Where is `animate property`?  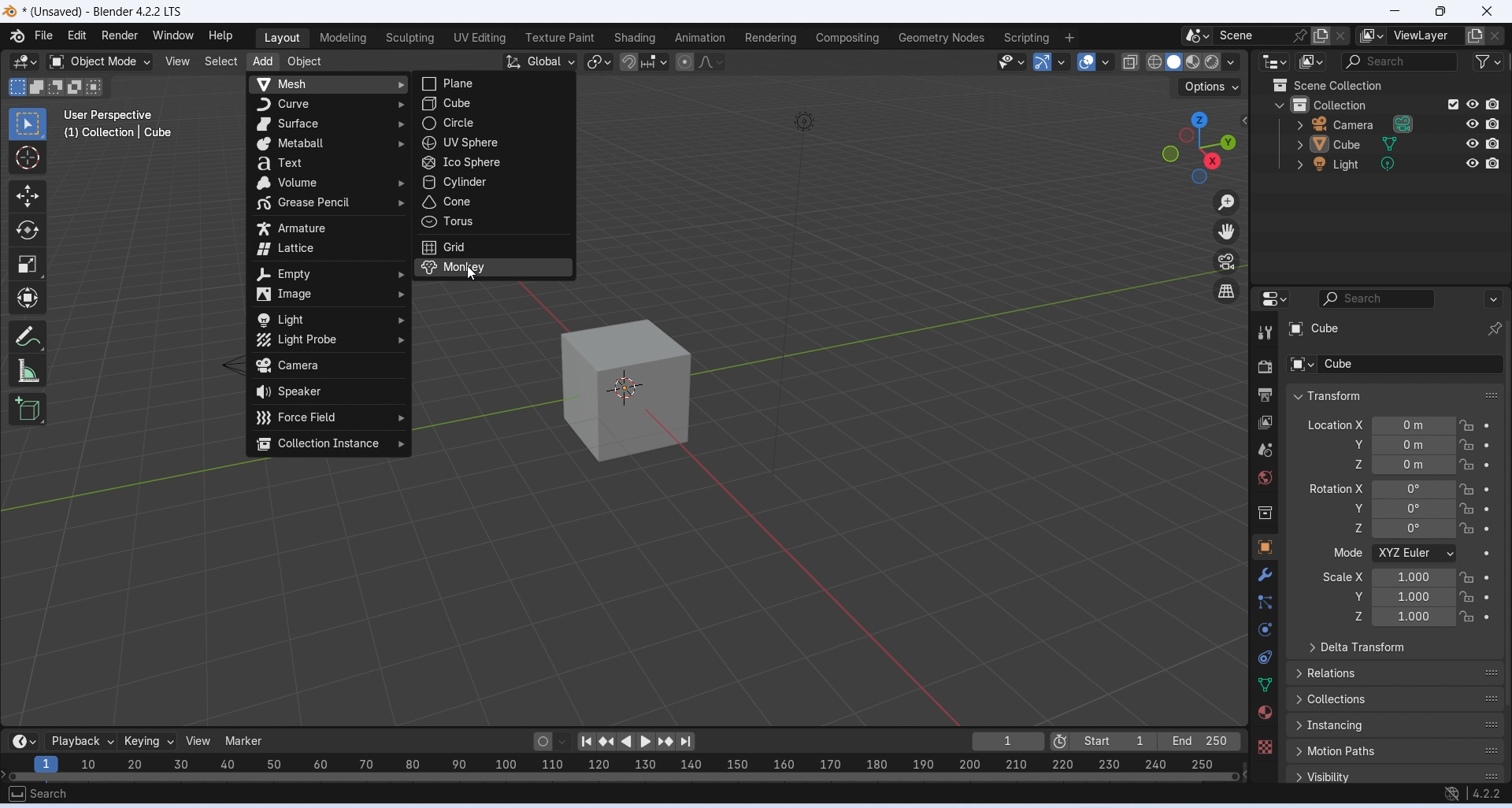 animate property is located at coordinates (1488, 617).